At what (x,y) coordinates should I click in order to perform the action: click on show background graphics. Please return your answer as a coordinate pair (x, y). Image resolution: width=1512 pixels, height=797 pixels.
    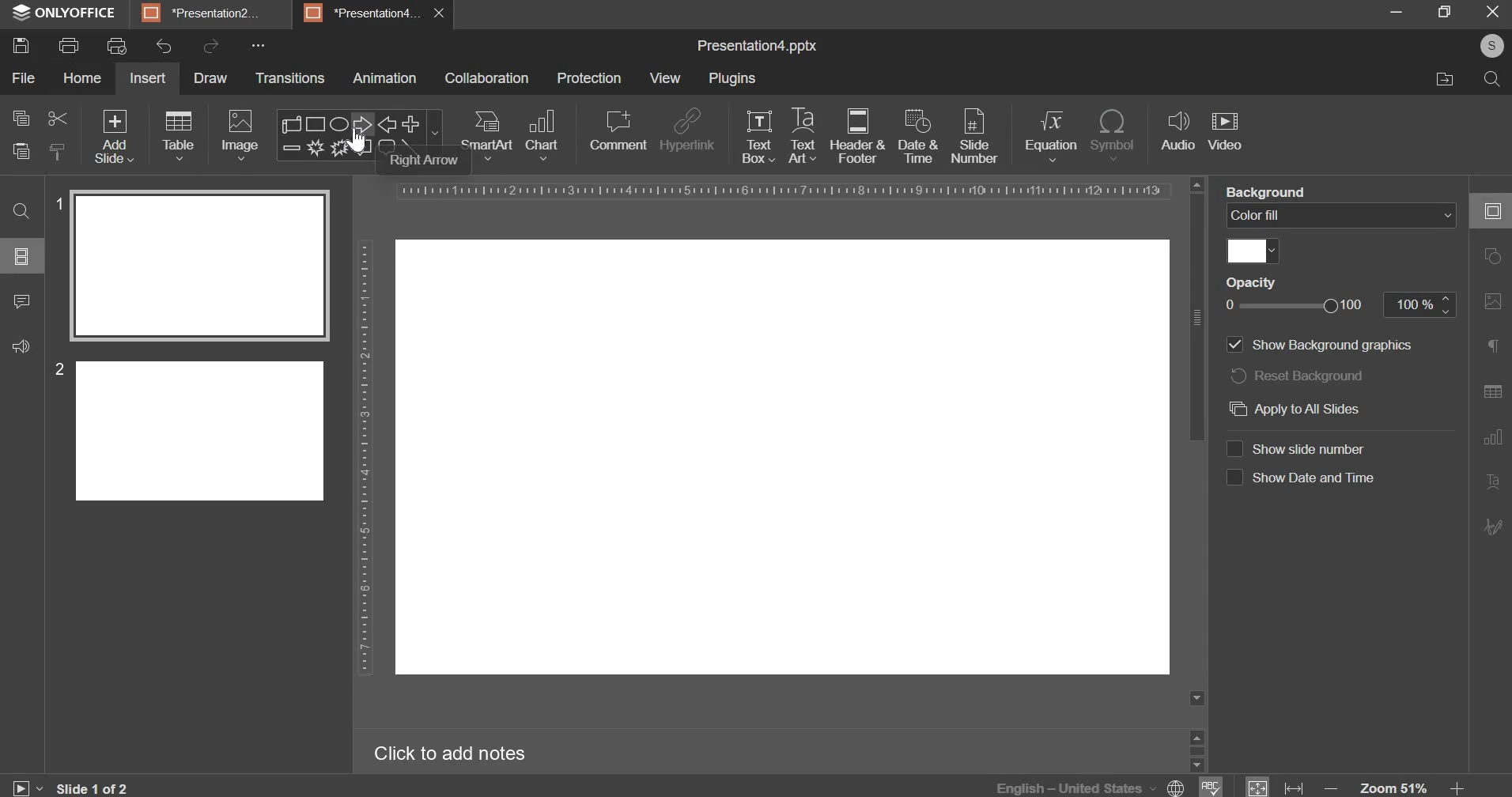
    Looking at the image, I should click on (1234, 343).